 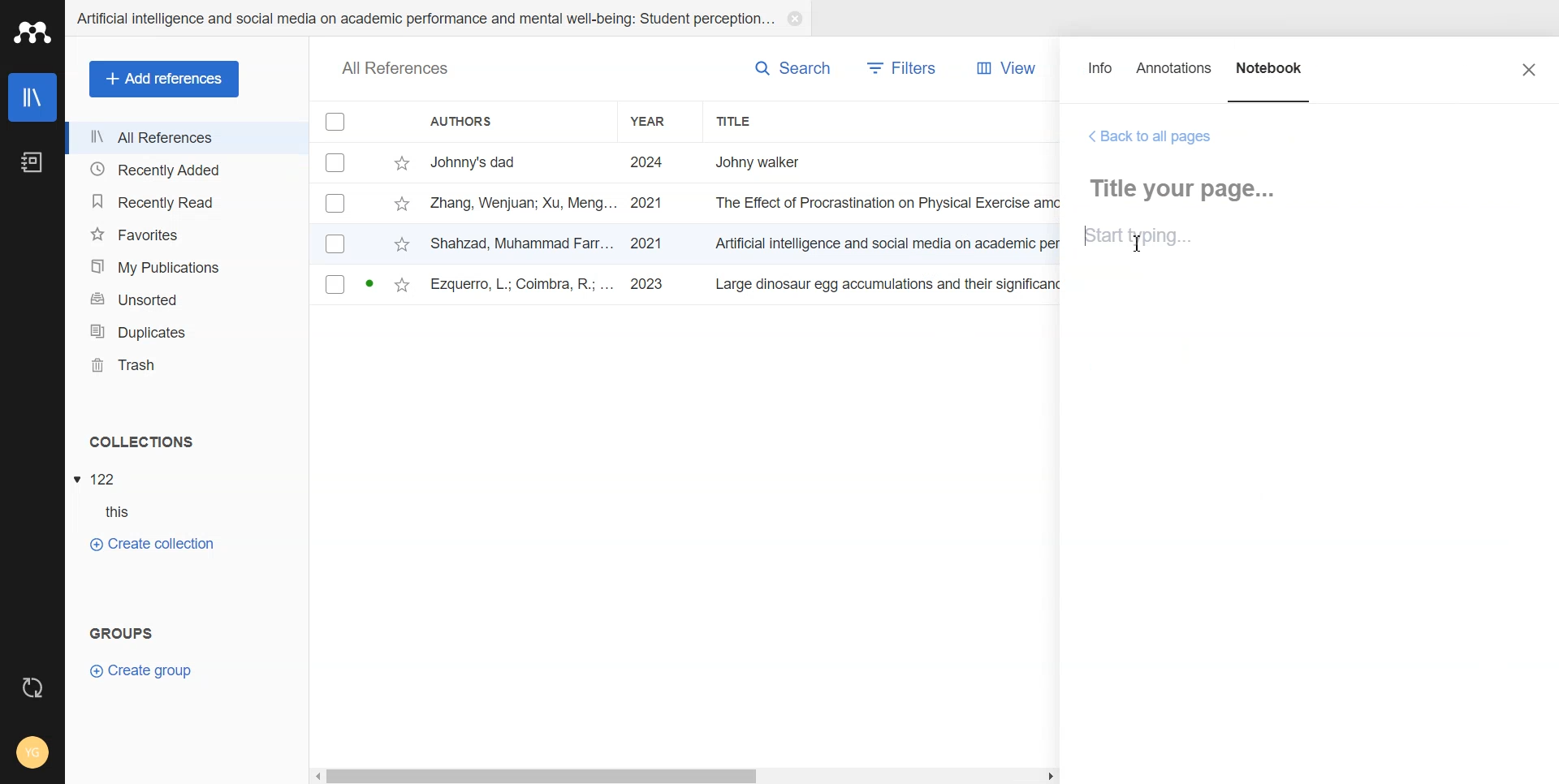 What do you see at coordinates (1101, 75) in the screenshot?
I see `Info` at bounding box center [1101, 75].